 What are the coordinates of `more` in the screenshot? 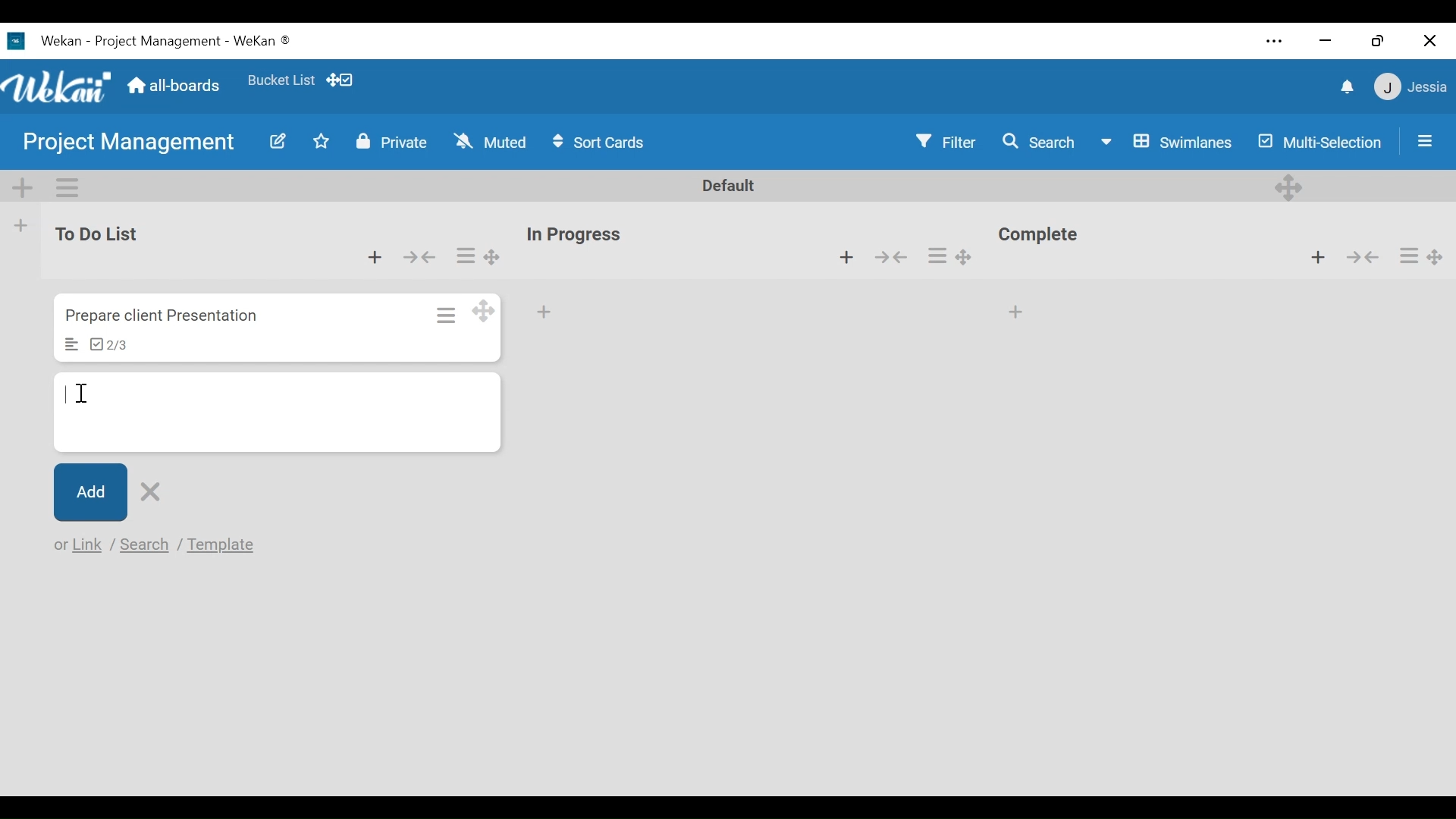 It's located at (1273, 40).